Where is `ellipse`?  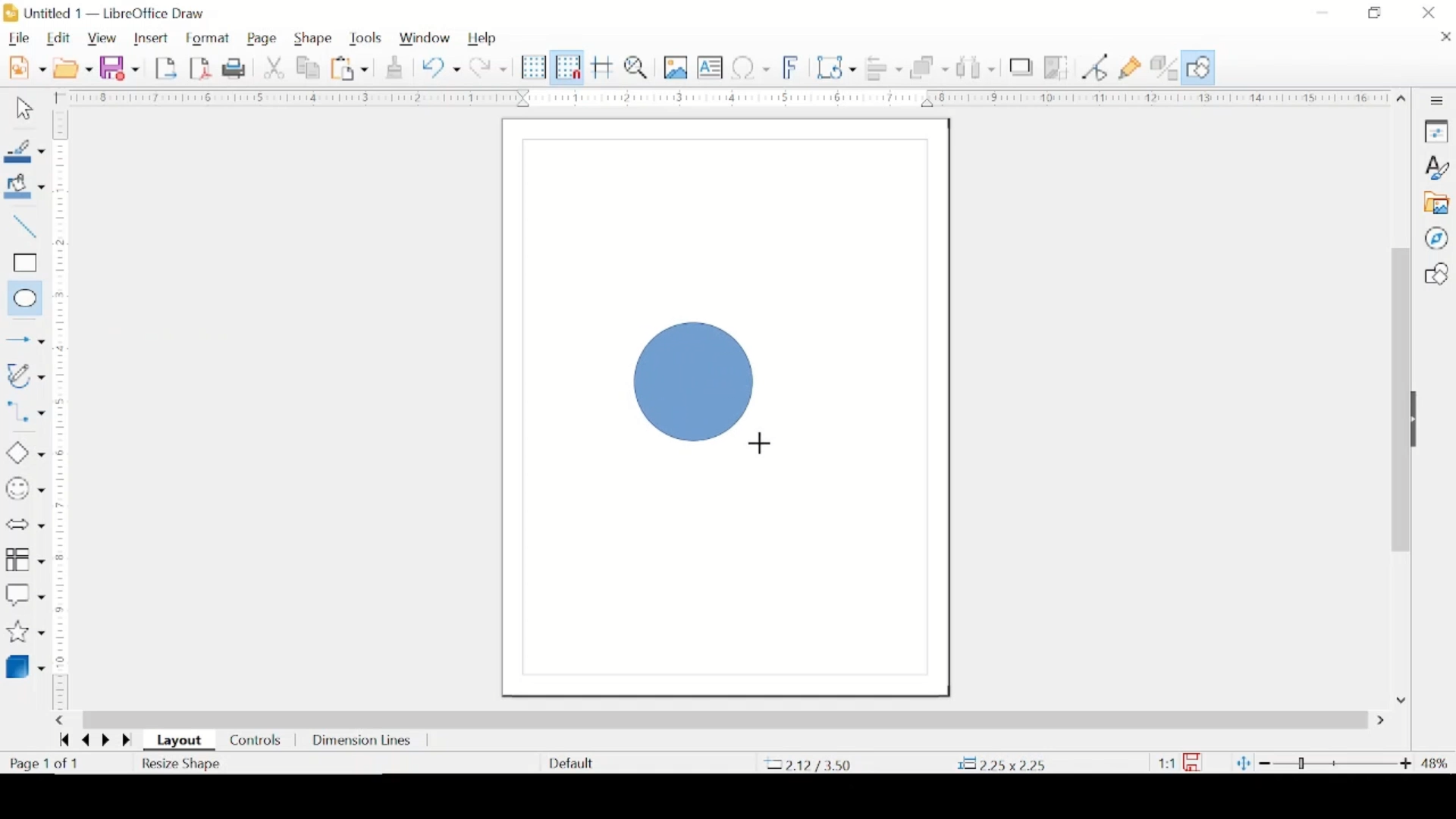 ellipse is located at coordinates (22, 297).